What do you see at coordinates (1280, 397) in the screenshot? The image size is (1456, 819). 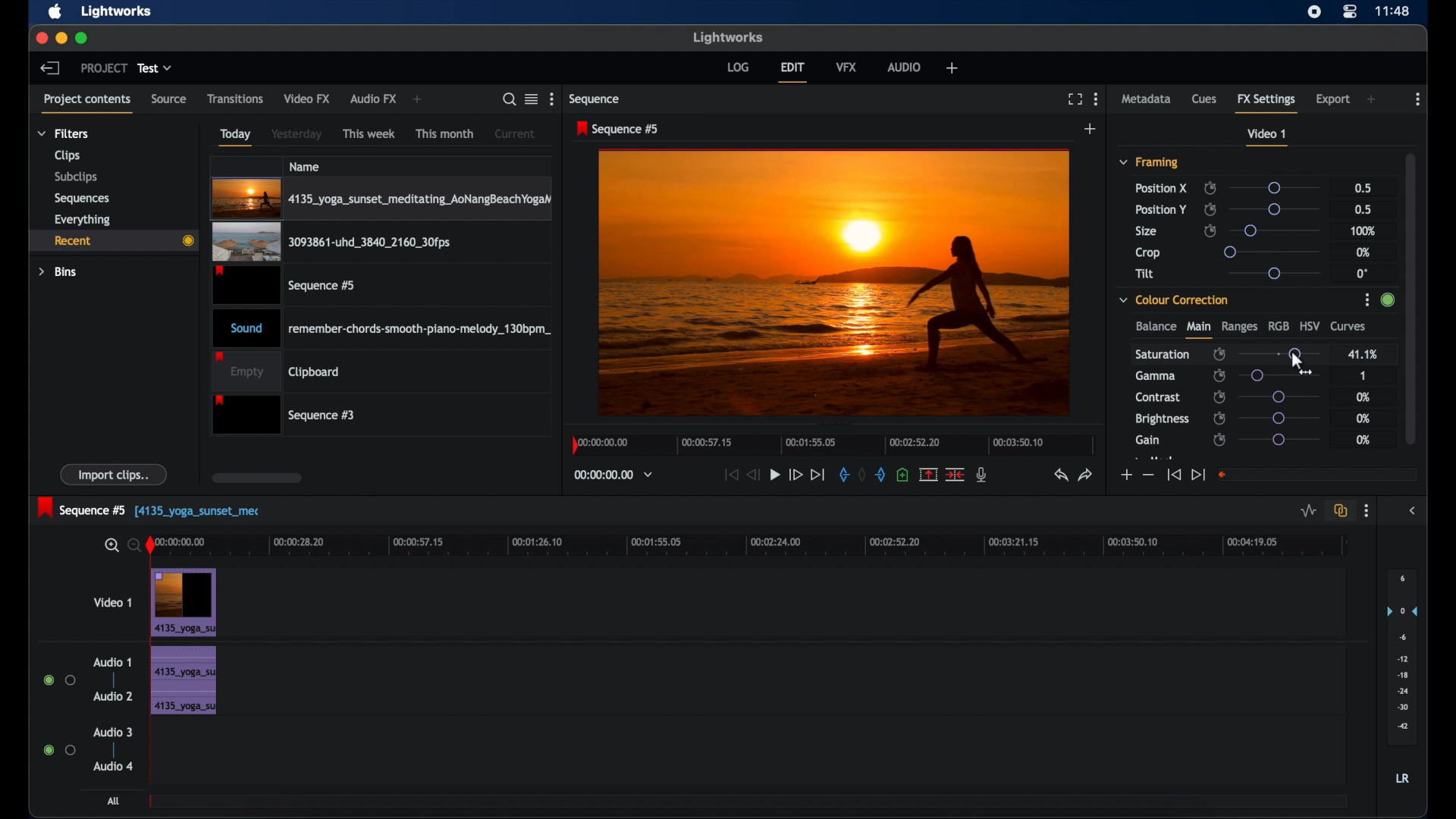 I see `slider` at bounding box center [1280, 397].